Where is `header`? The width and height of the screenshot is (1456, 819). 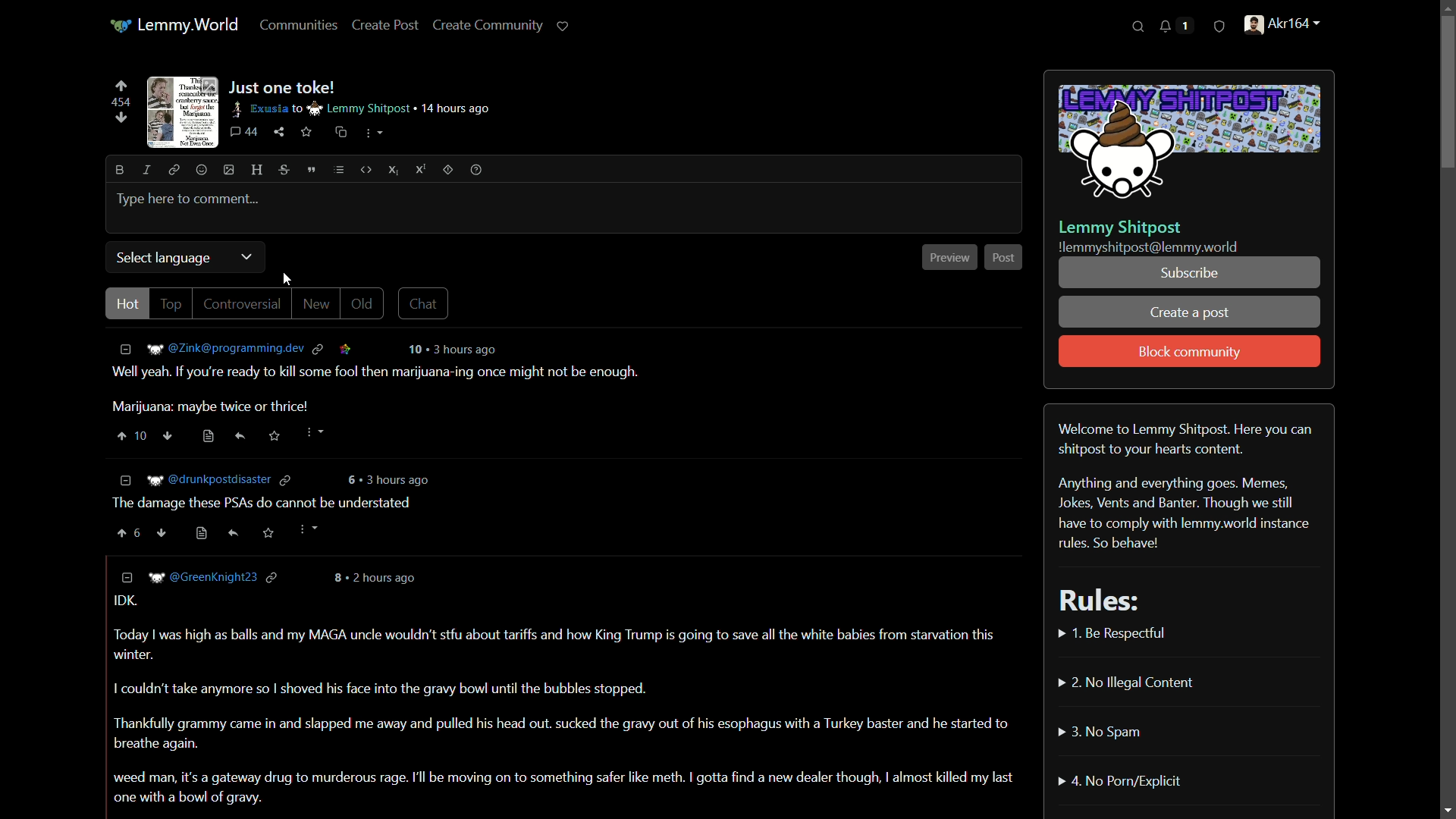 header is located at coordinates (256, 170).